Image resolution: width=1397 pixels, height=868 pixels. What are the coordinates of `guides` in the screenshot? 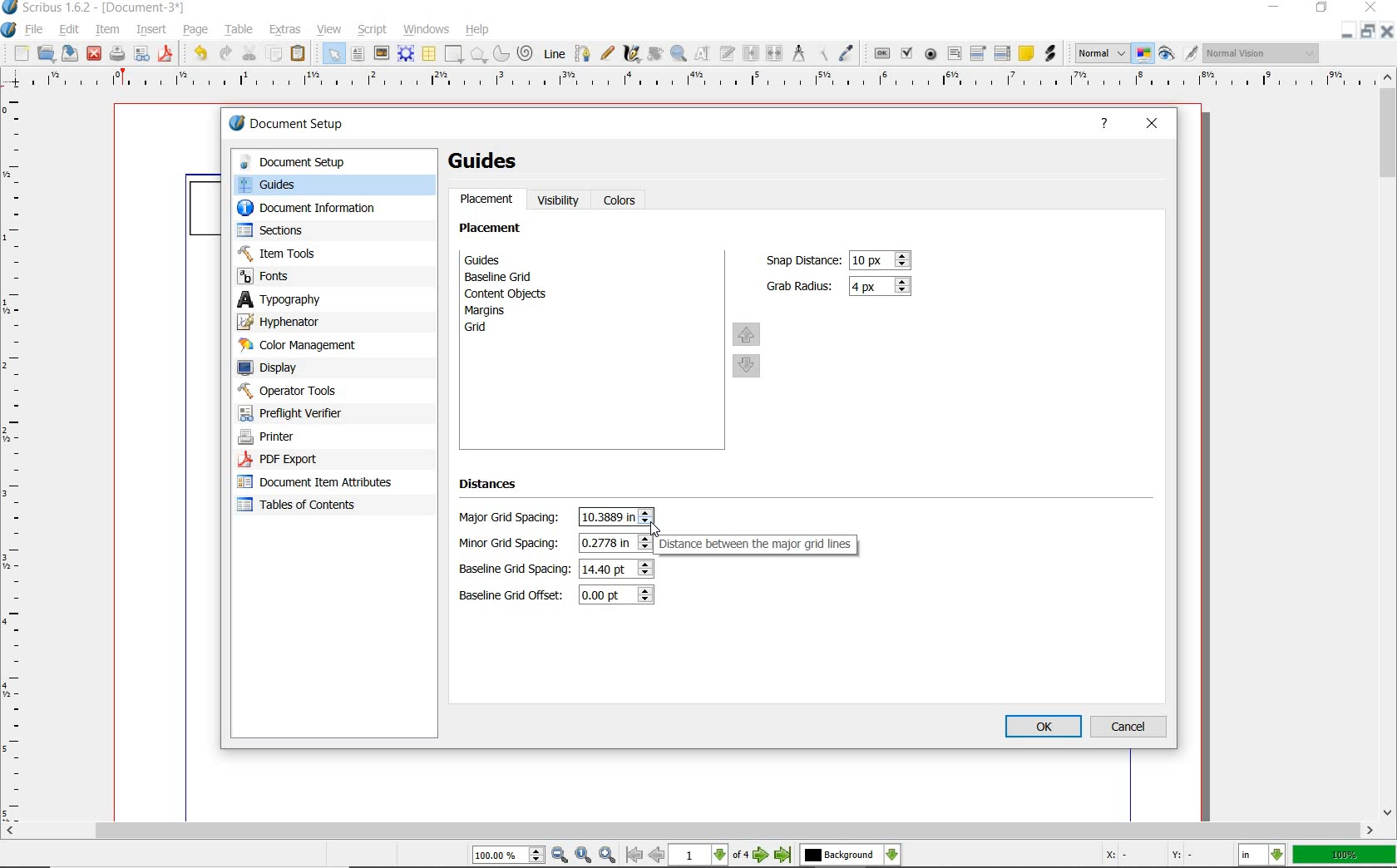 It's located at (491, 161).